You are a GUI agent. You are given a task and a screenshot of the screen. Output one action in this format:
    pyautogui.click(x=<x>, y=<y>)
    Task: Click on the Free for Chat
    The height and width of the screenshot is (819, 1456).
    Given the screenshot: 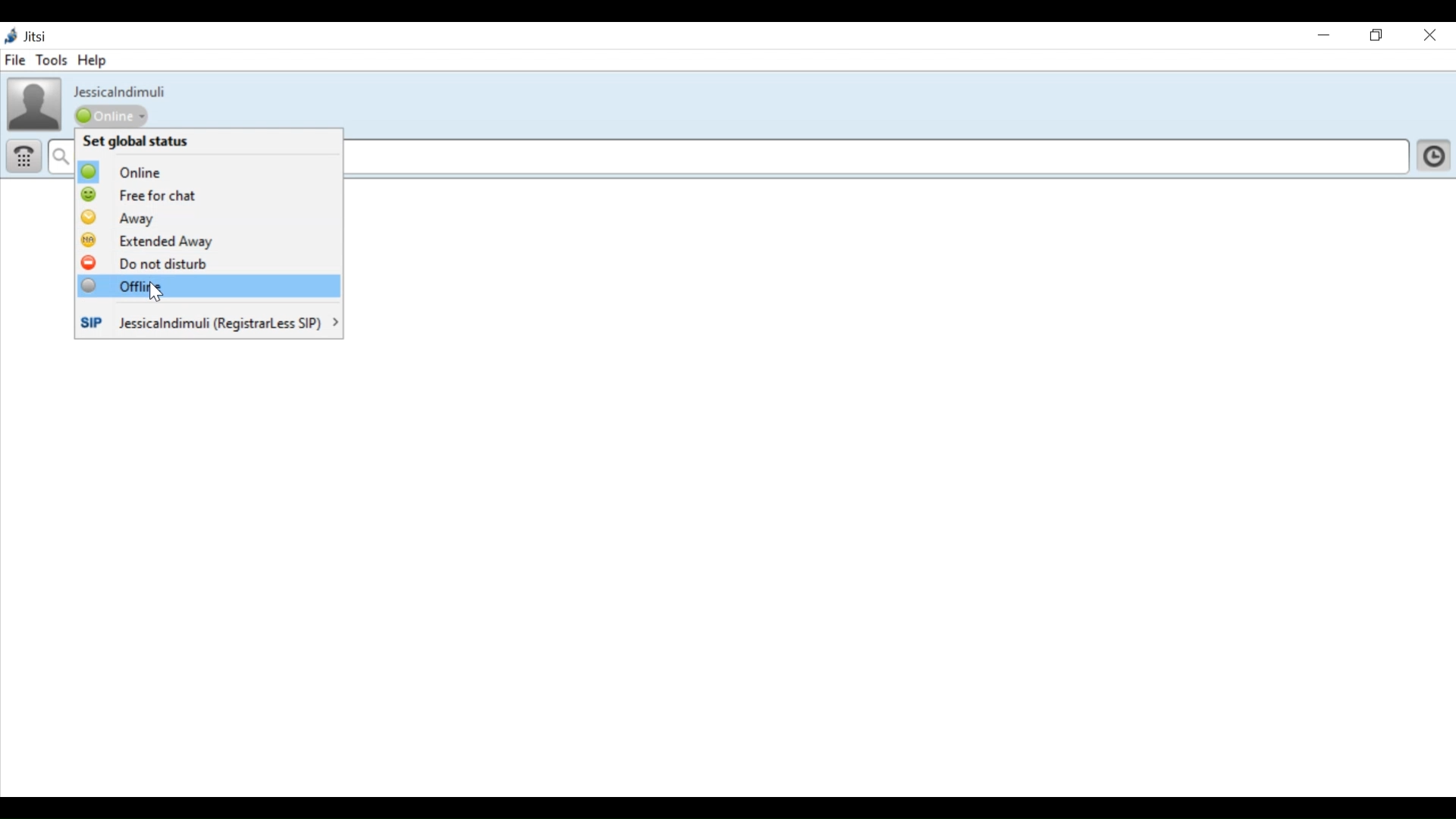 What is the action you would take?
    pyautogui.click(x=207, y=194)
    